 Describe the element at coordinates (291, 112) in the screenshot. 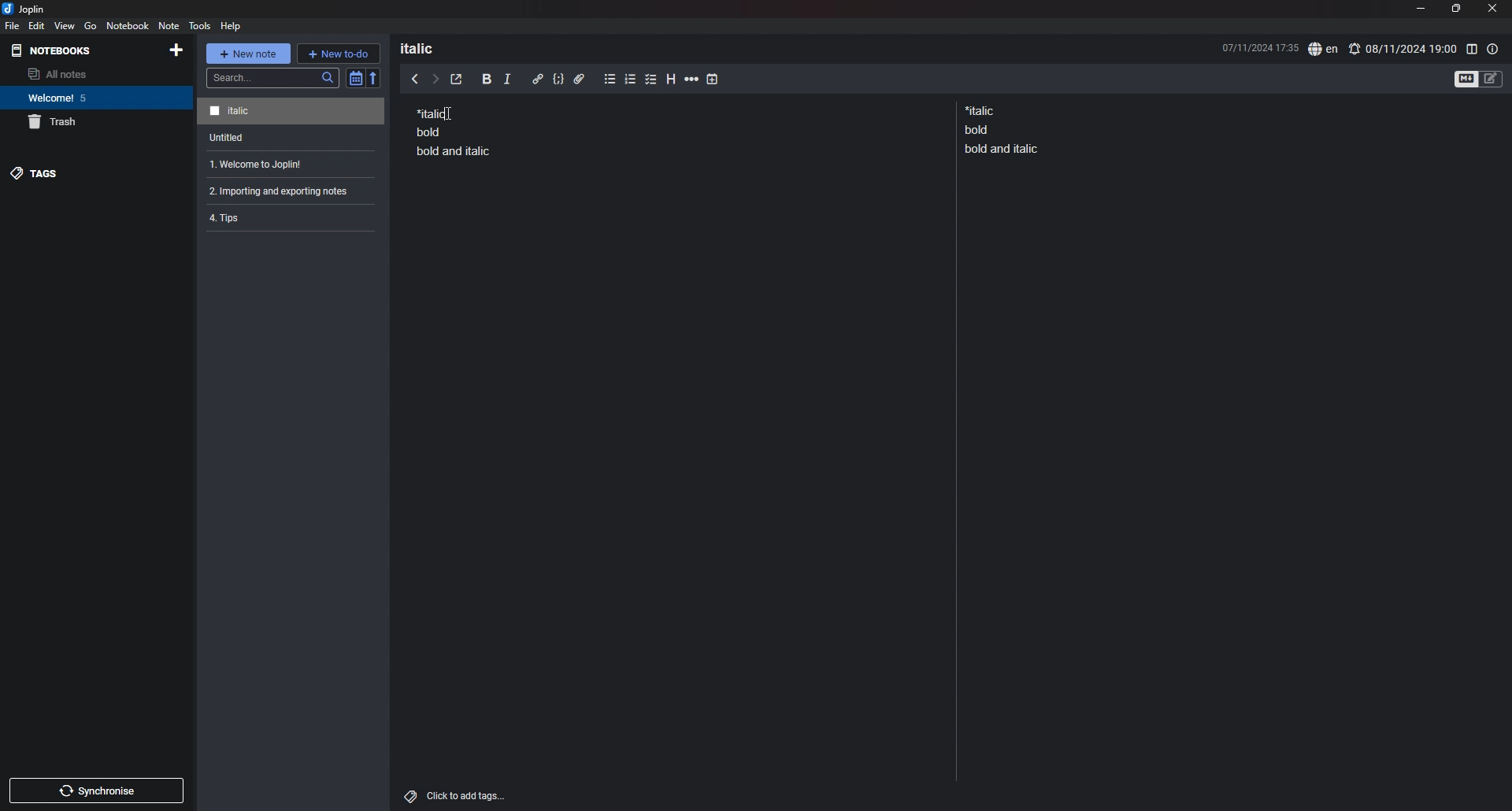

I see `note` at that location.